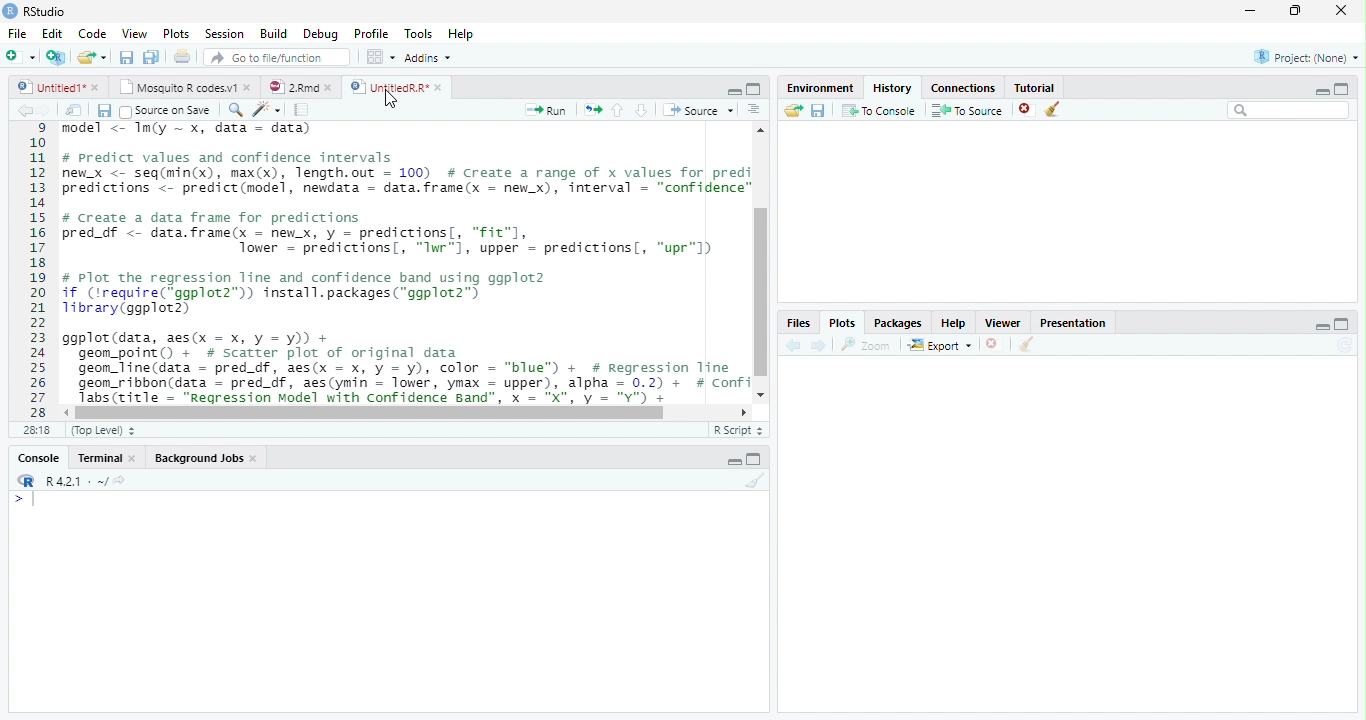 The height and width of the screenshot is (720, 1366). Describe the element at coordinates (409, 412) in the screenshot. I see `Scrollbar` at that location.